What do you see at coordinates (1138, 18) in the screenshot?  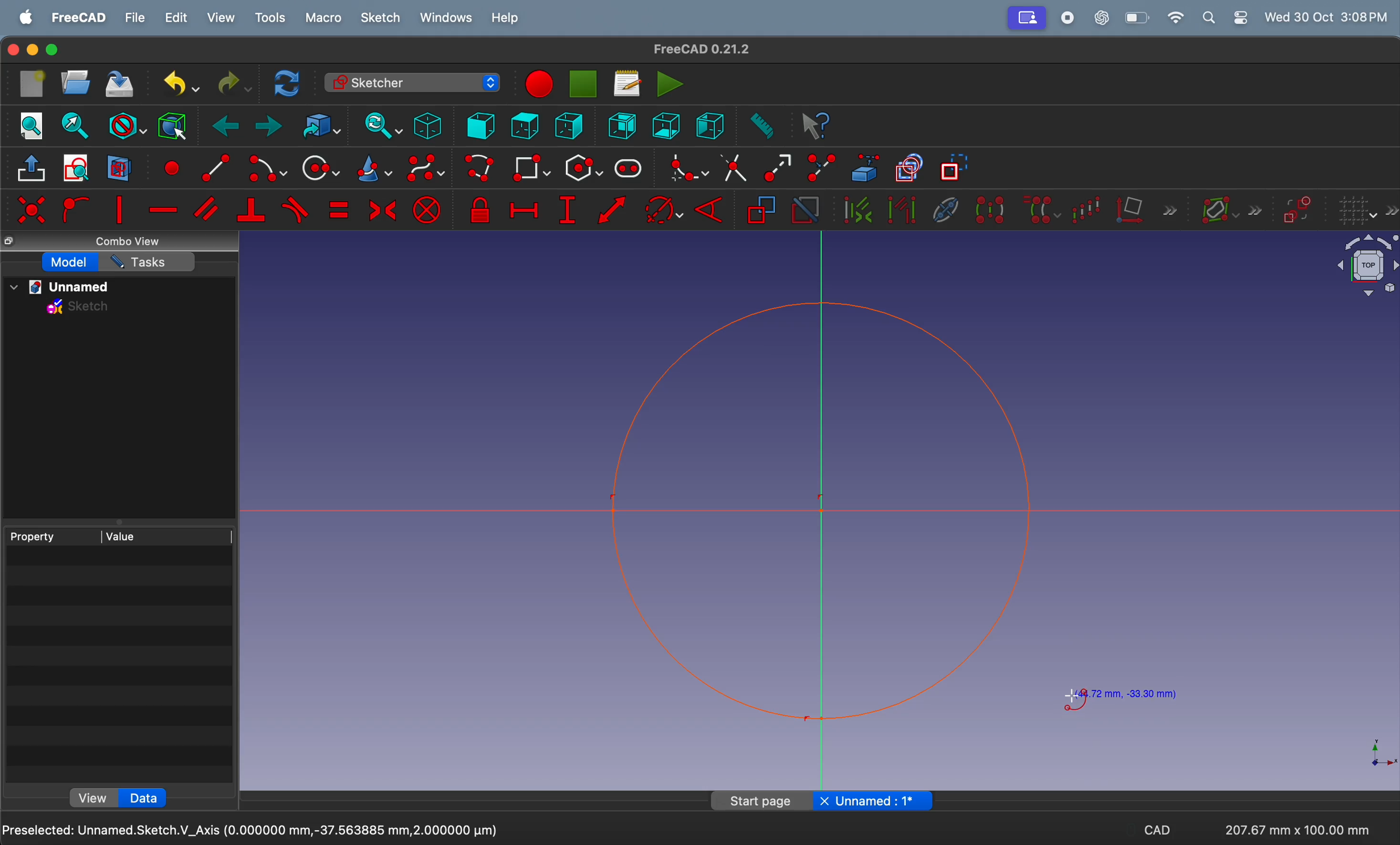 I see `battery` at bounding box center [1138, 18].